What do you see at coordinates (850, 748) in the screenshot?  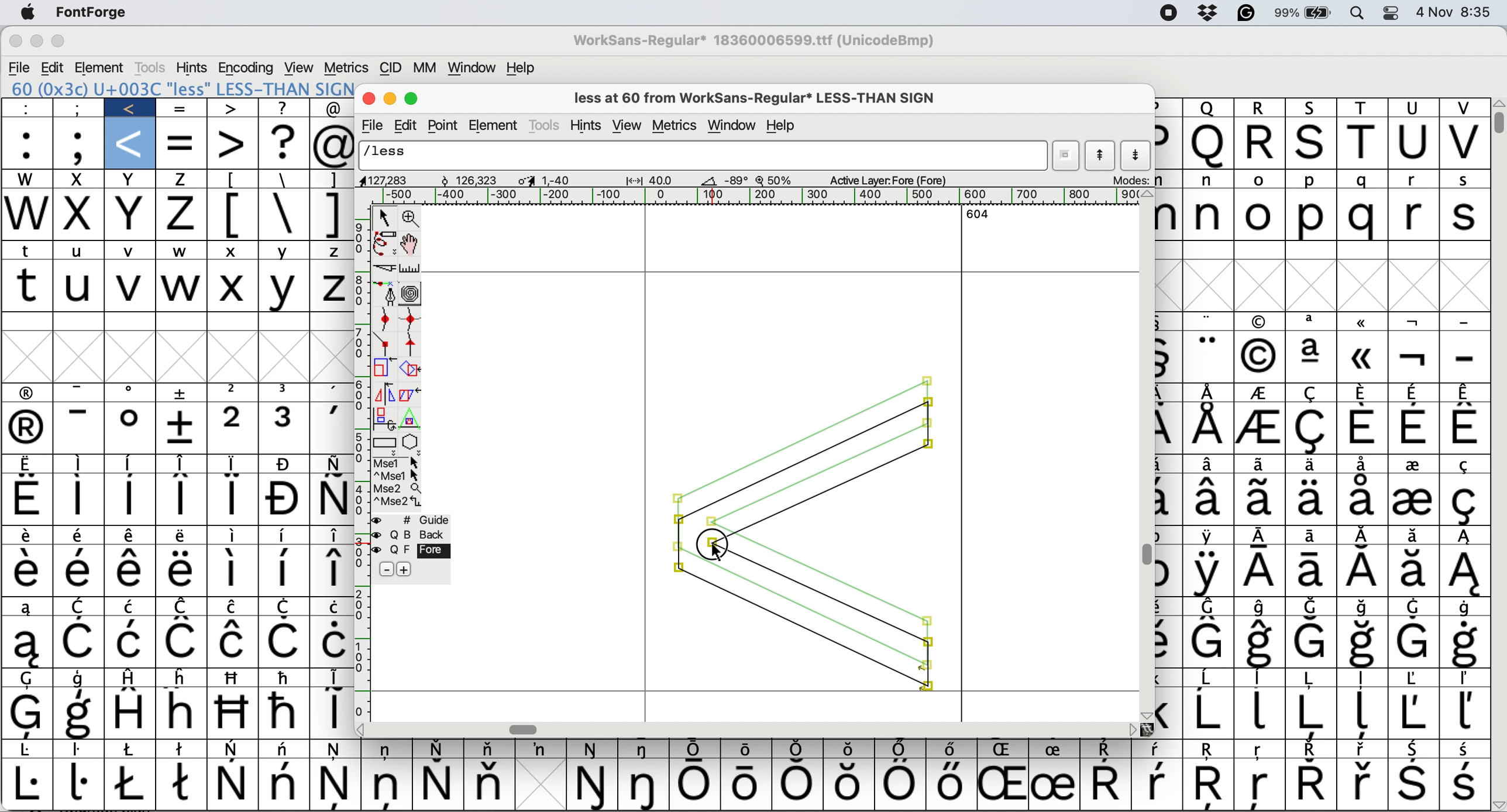 I see `Symbol` at bounding box center [850, 748].